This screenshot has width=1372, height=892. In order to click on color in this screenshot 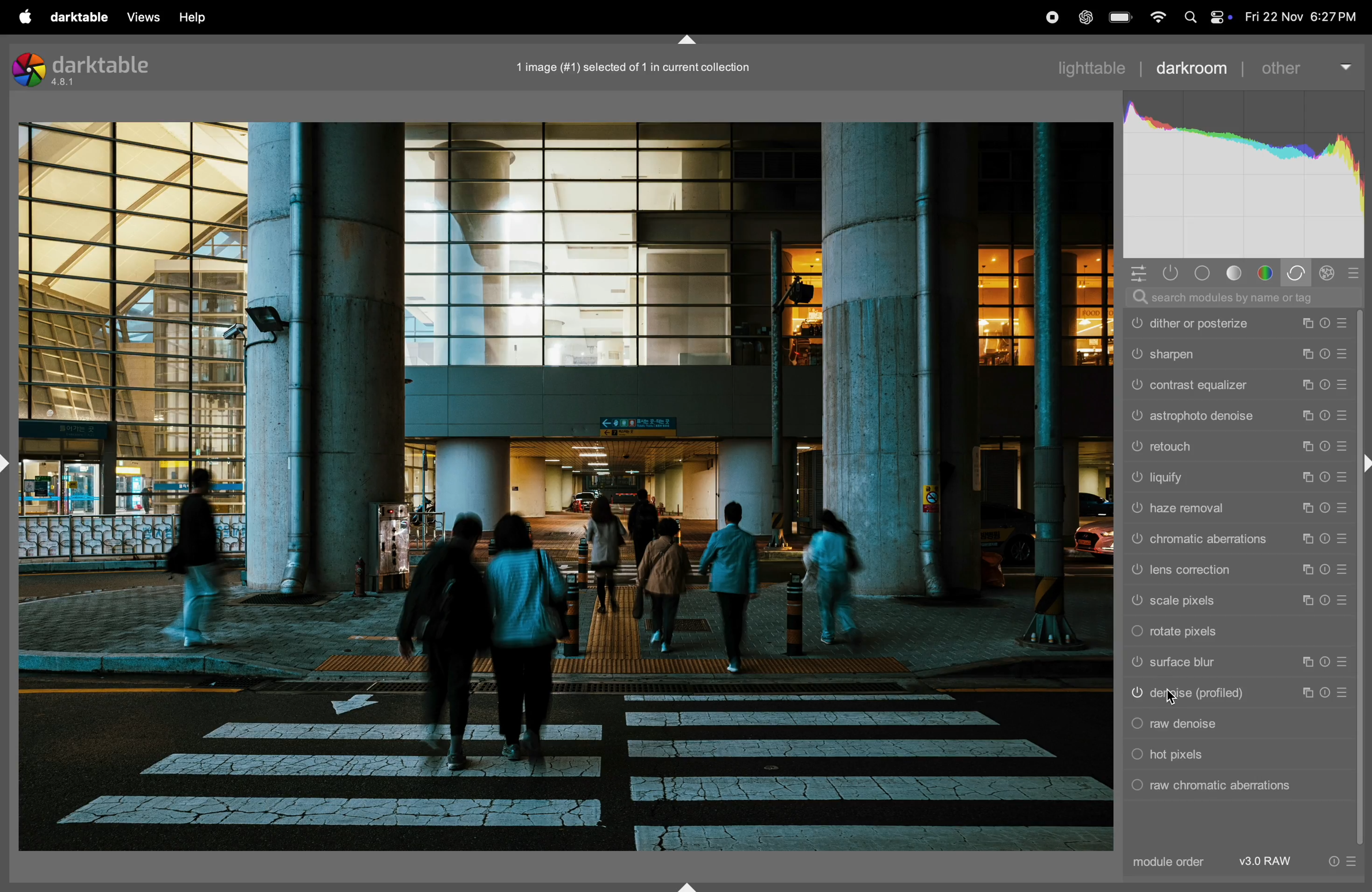, I will do `click(1265, 272)`.